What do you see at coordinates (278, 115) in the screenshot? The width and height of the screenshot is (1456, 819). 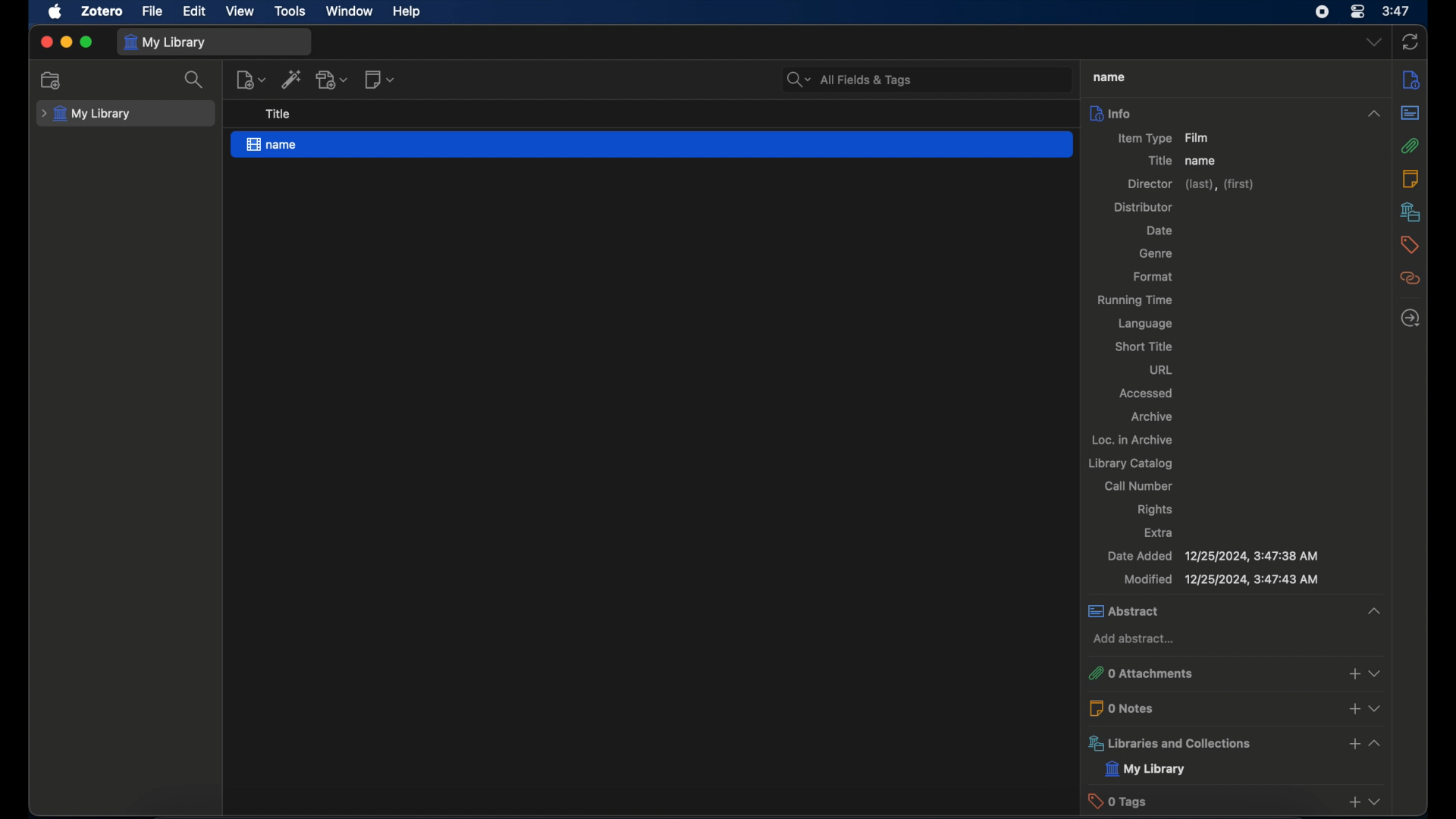 I see `title` at bounding box center [278, 115].